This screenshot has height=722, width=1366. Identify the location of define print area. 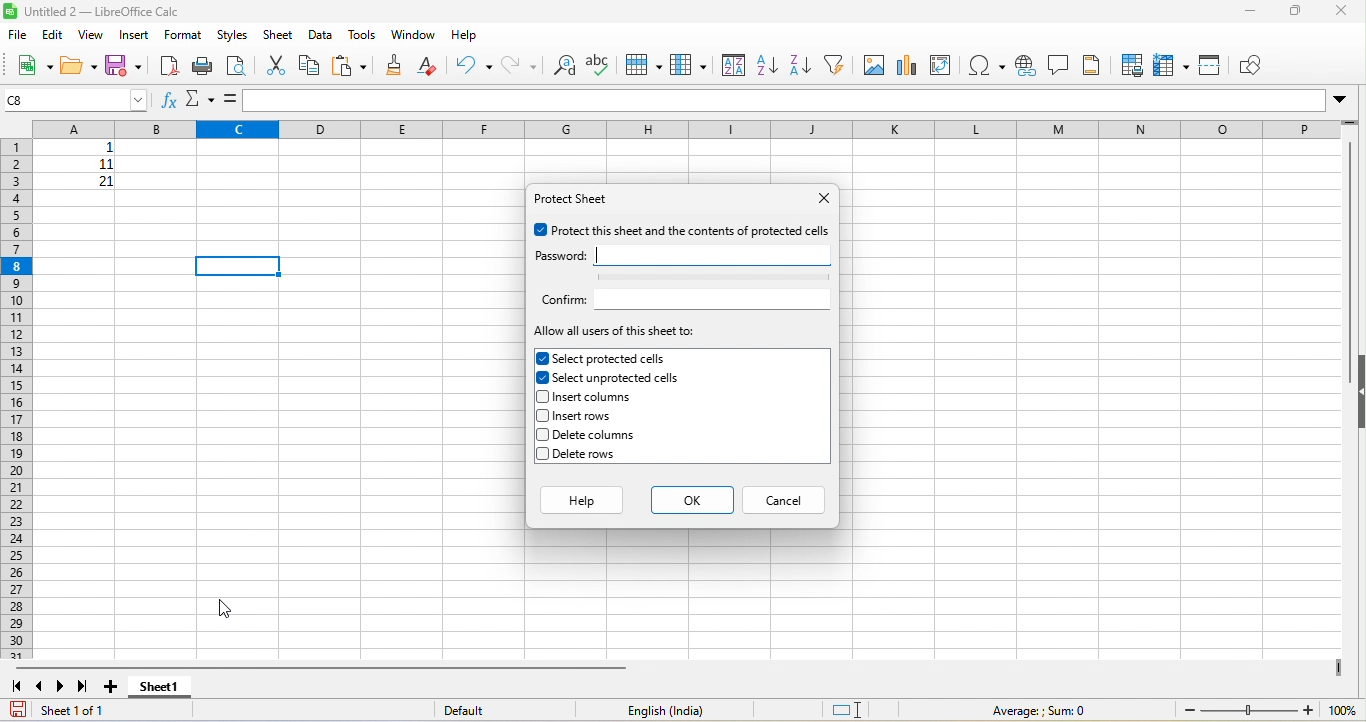
(1133, 67).